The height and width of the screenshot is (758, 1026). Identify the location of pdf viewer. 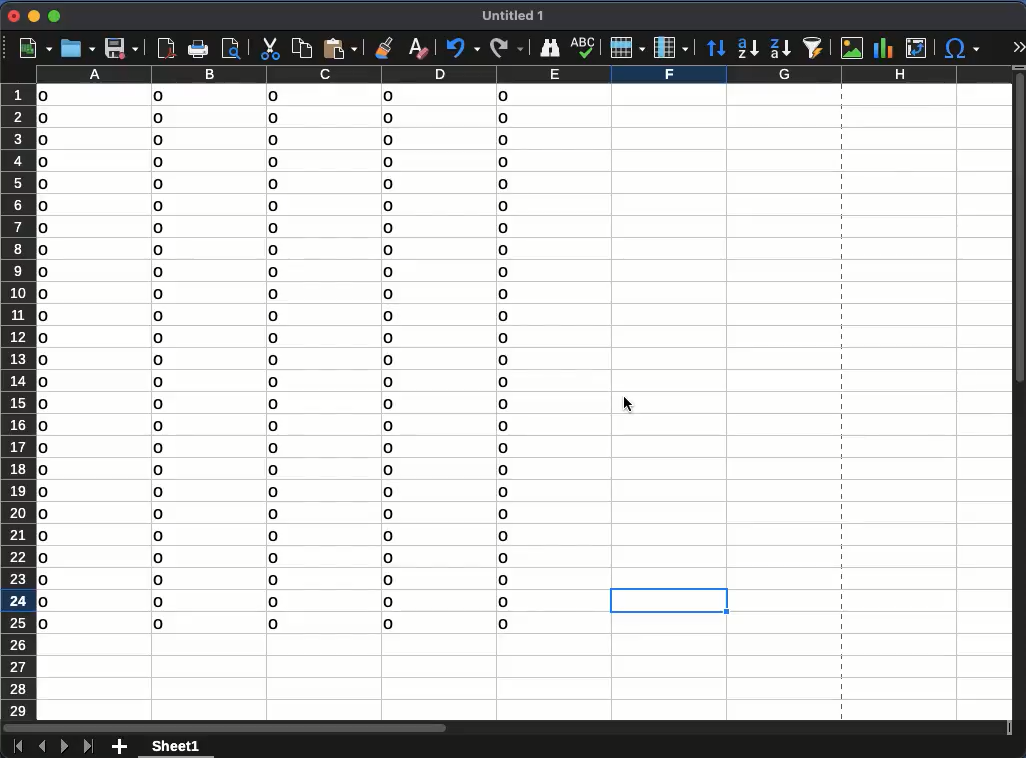
(166, 48).